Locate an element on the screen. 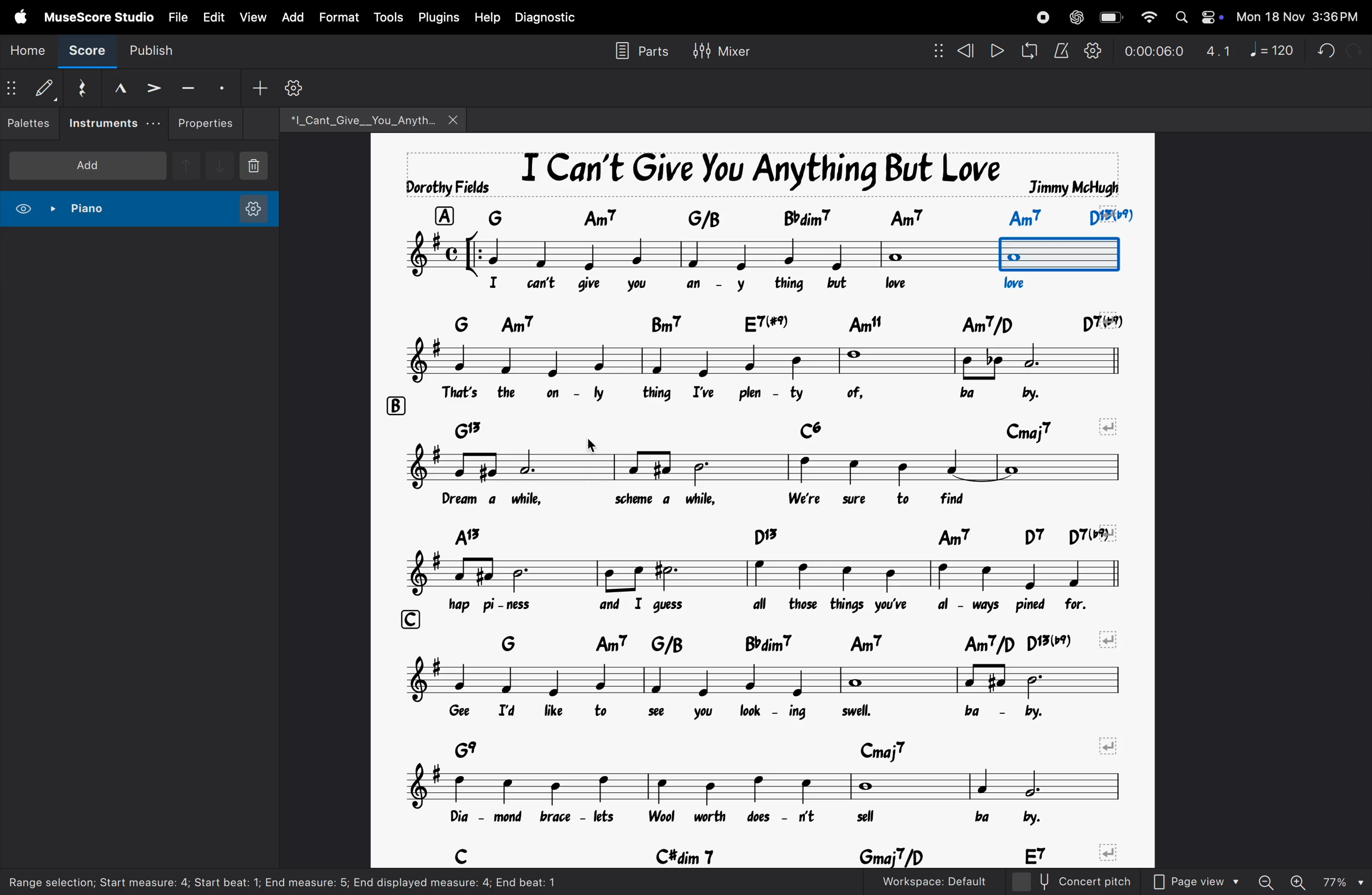 The height and width of the screenshot is (895, 1372). add is located at coordinates (87, 164).